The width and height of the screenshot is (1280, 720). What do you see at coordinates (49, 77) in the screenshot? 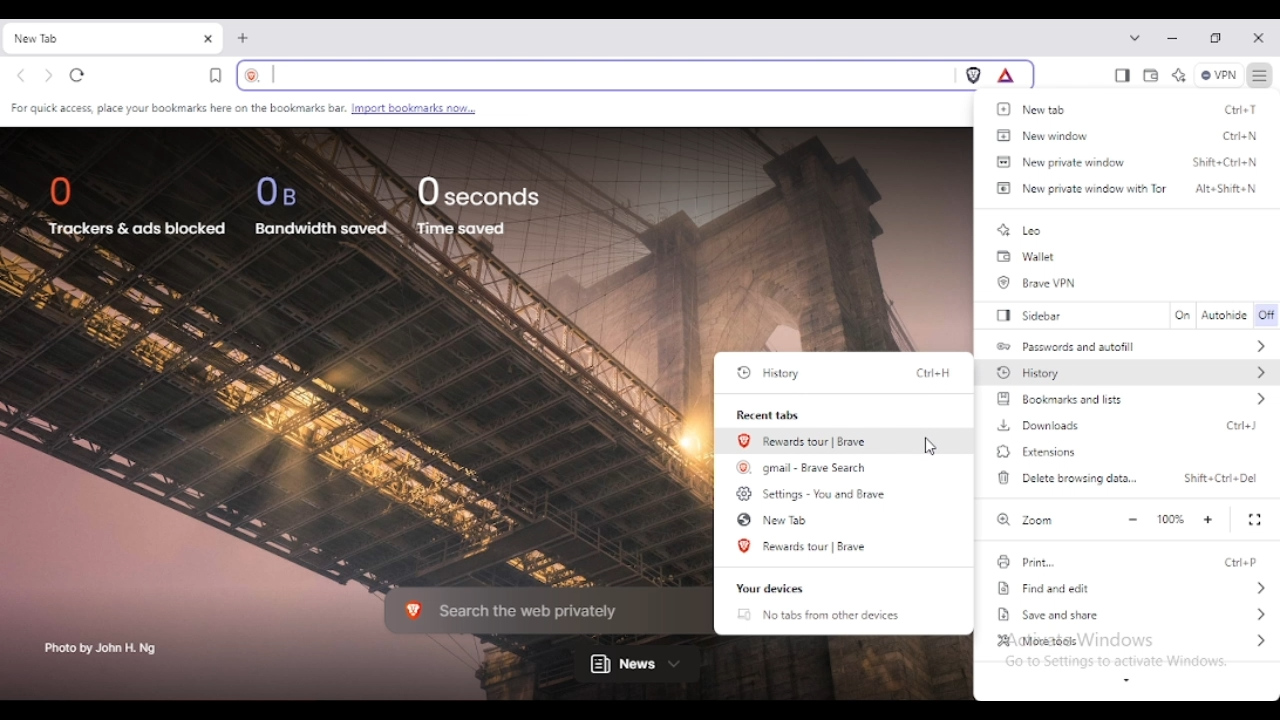
I see `go forward` at bounding box center [49, 77].